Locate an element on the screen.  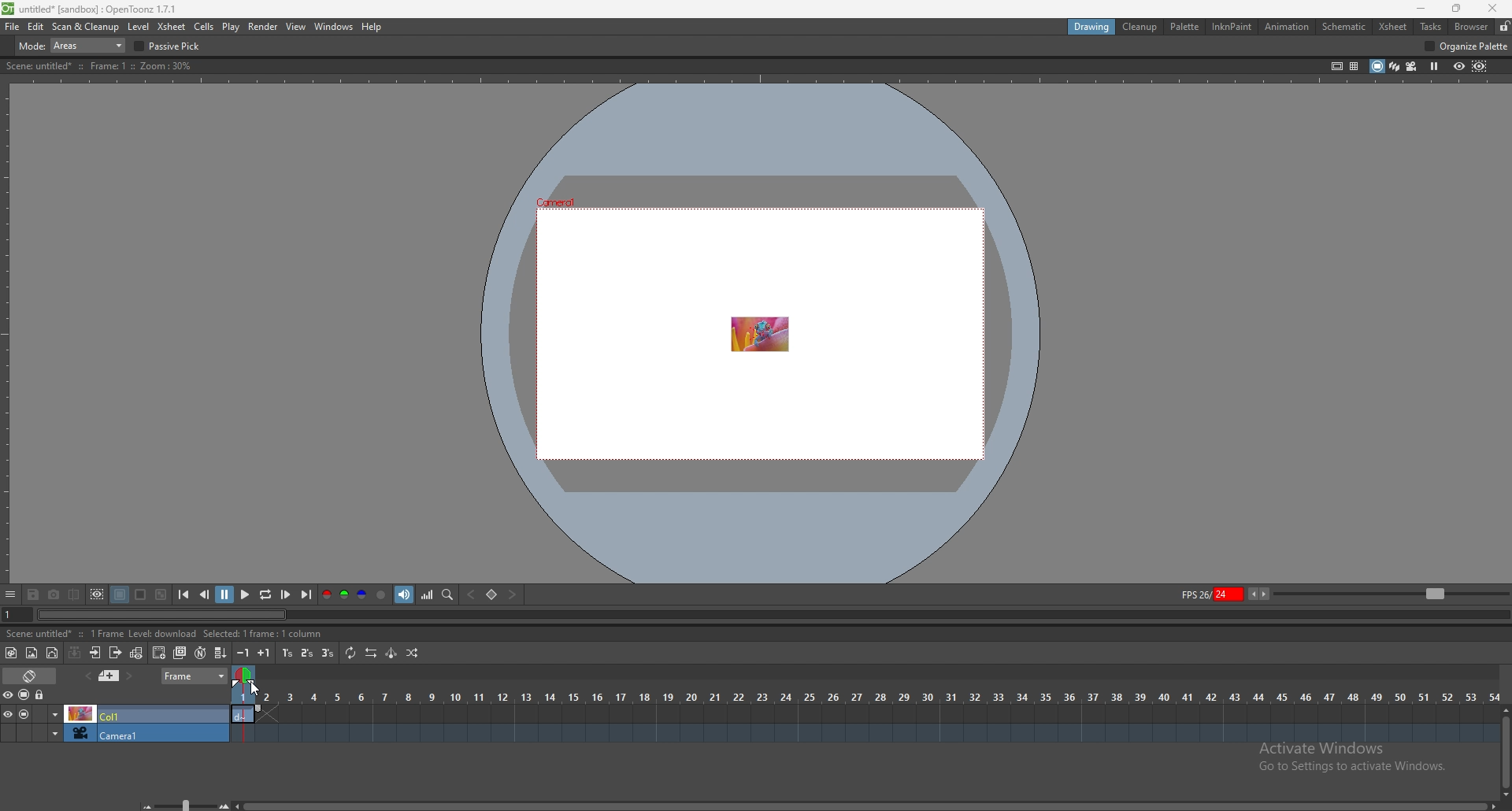
close subsheet is located at coordinates (116, 653).